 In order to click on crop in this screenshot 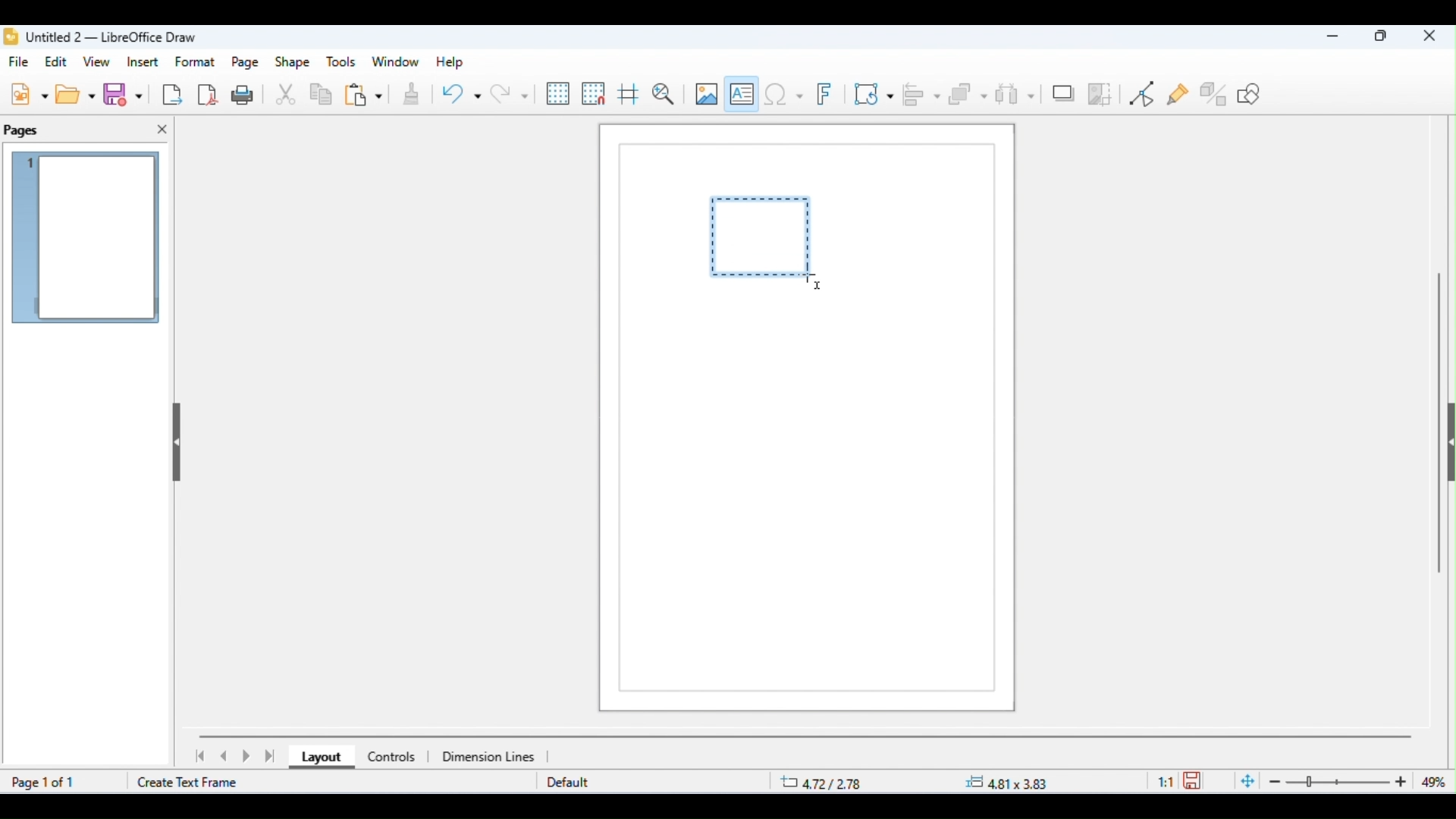, I will do `click(1100, 93)`.